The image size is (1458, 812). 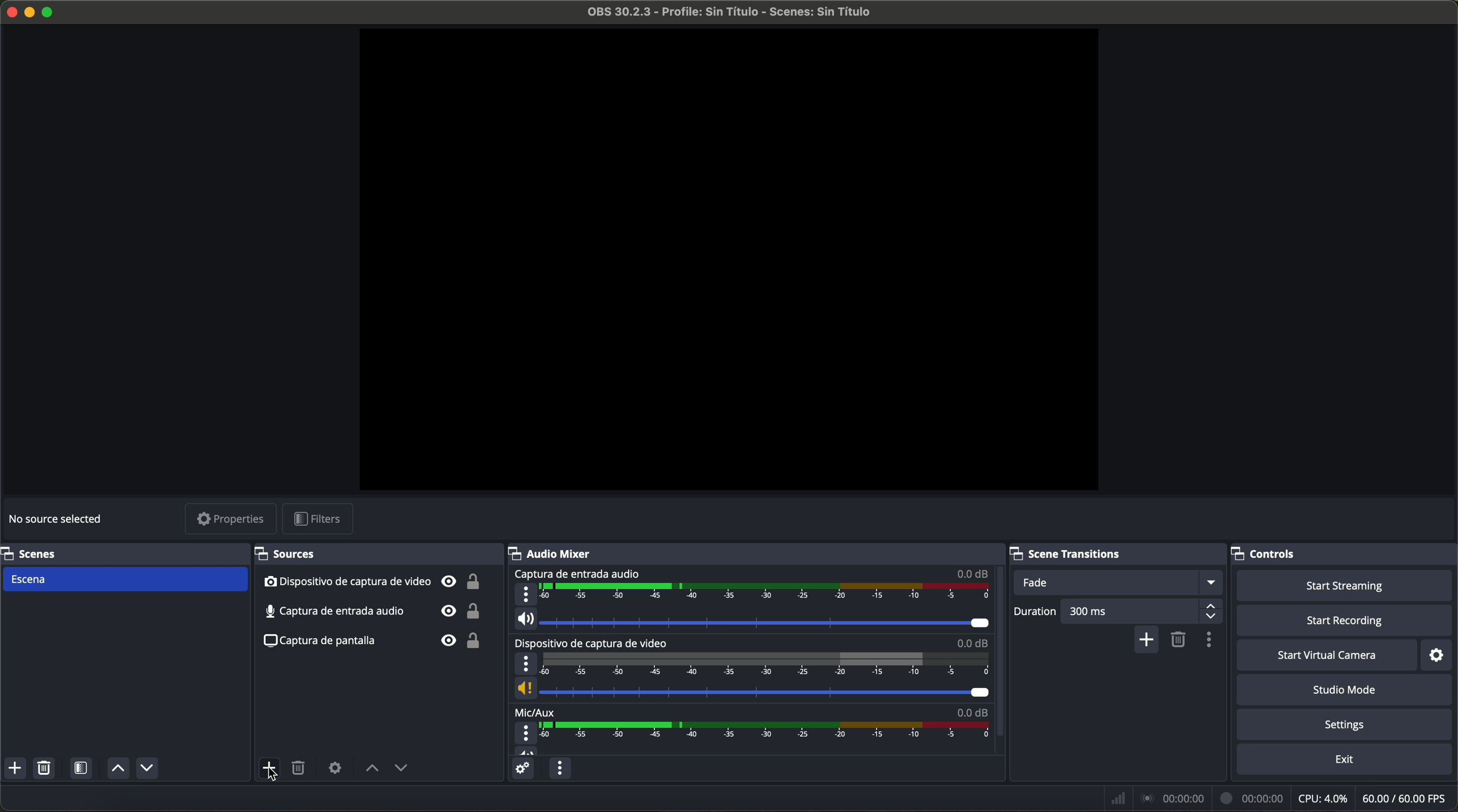 What do you see at coordinates (559, 768) in the screenshot?
I see `audio mixer menu` at bounding box center [559, 768].